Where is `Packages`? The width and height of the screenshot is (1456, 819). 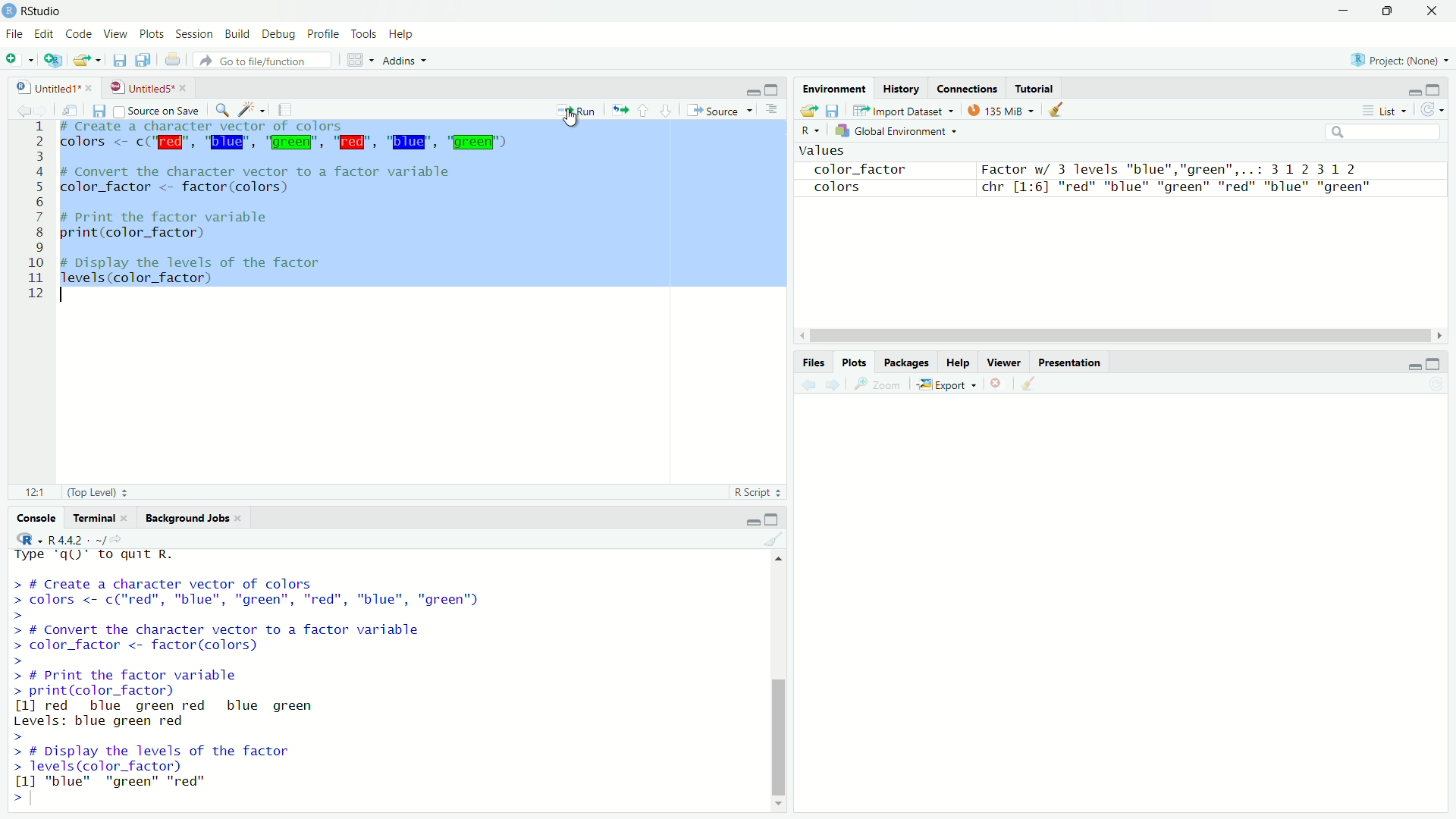
Packages is located at coordinates (905, 362).